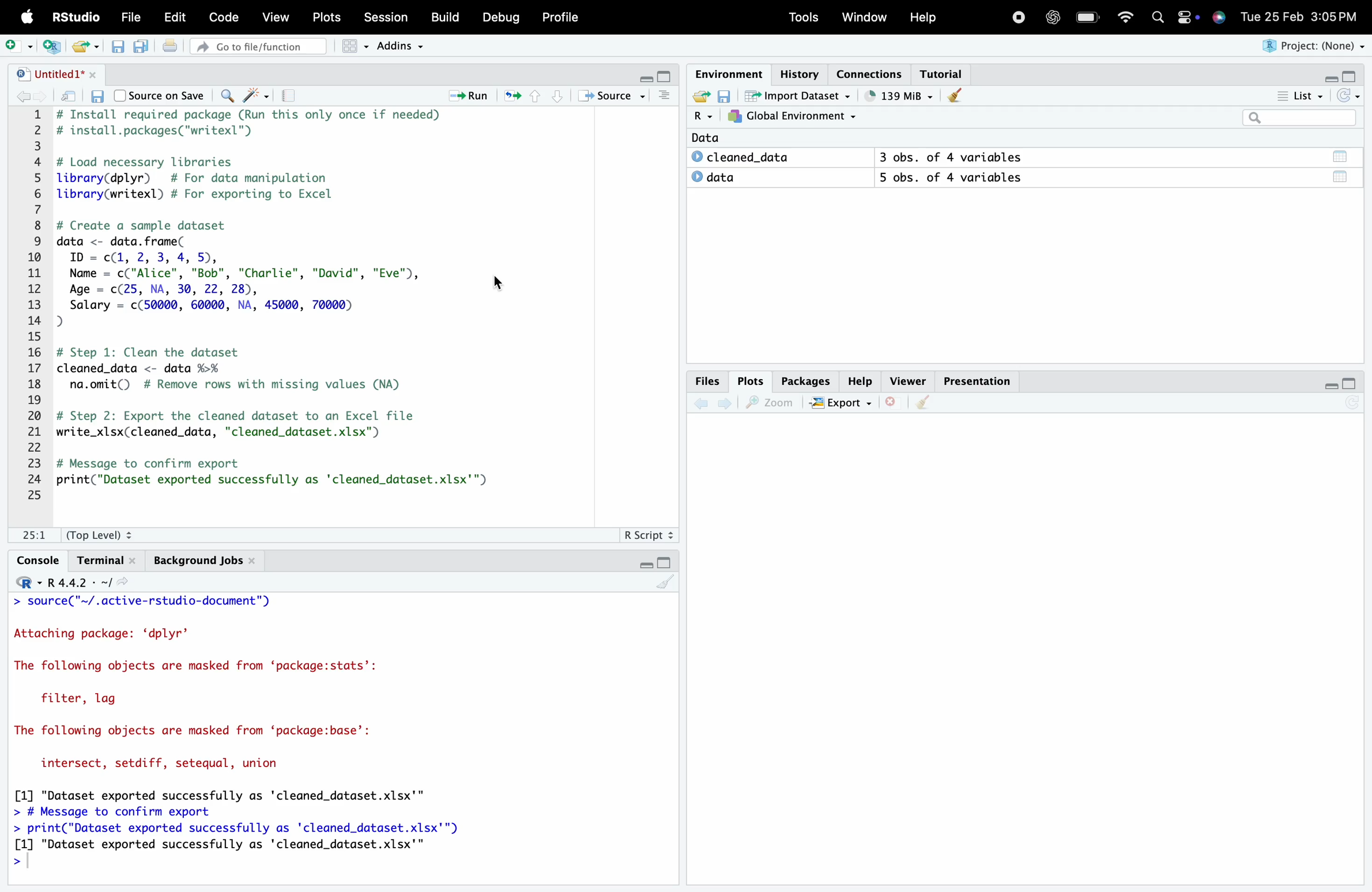 This screenshot has height=892, width=1372. What do you see at coordinates (43, 96) in the screenshot?
I see `Go forward to the next source location (Ctrl + F10)` at bounding box center [43, 96].